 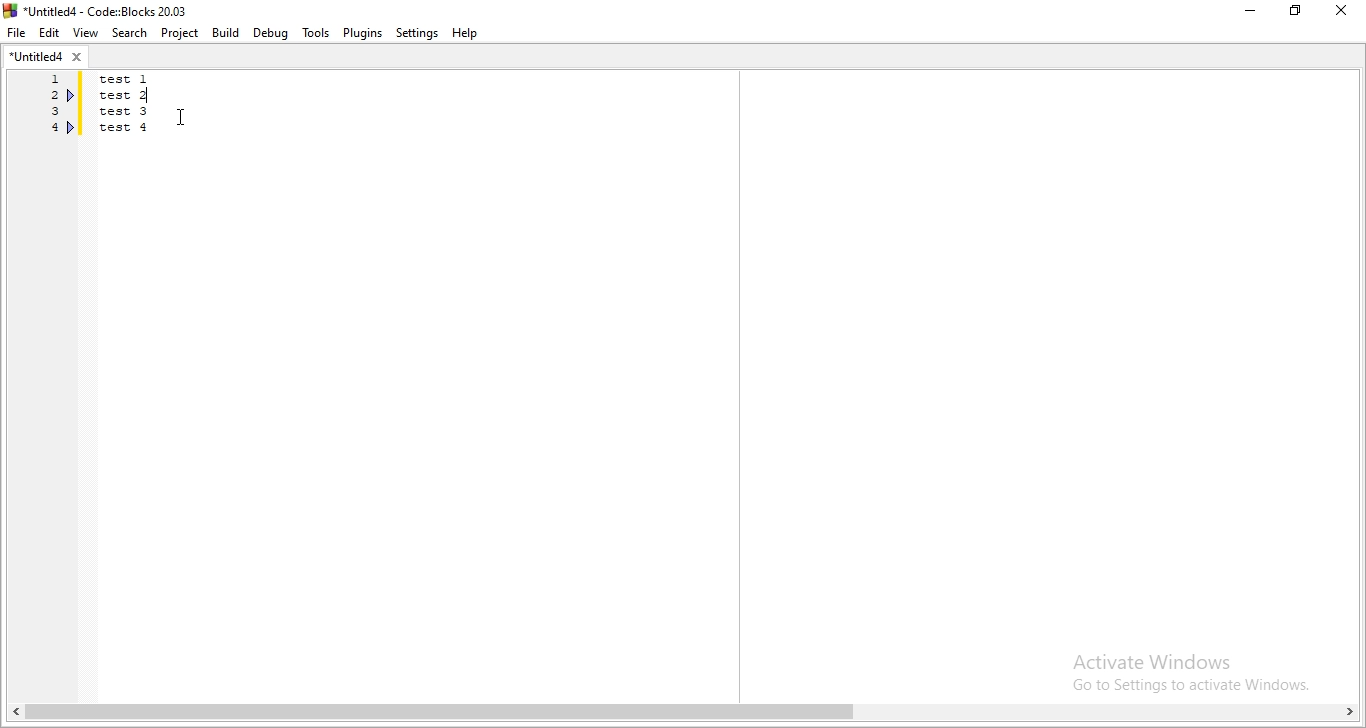 I want to click on text cursor, so click(x=151, y=94).